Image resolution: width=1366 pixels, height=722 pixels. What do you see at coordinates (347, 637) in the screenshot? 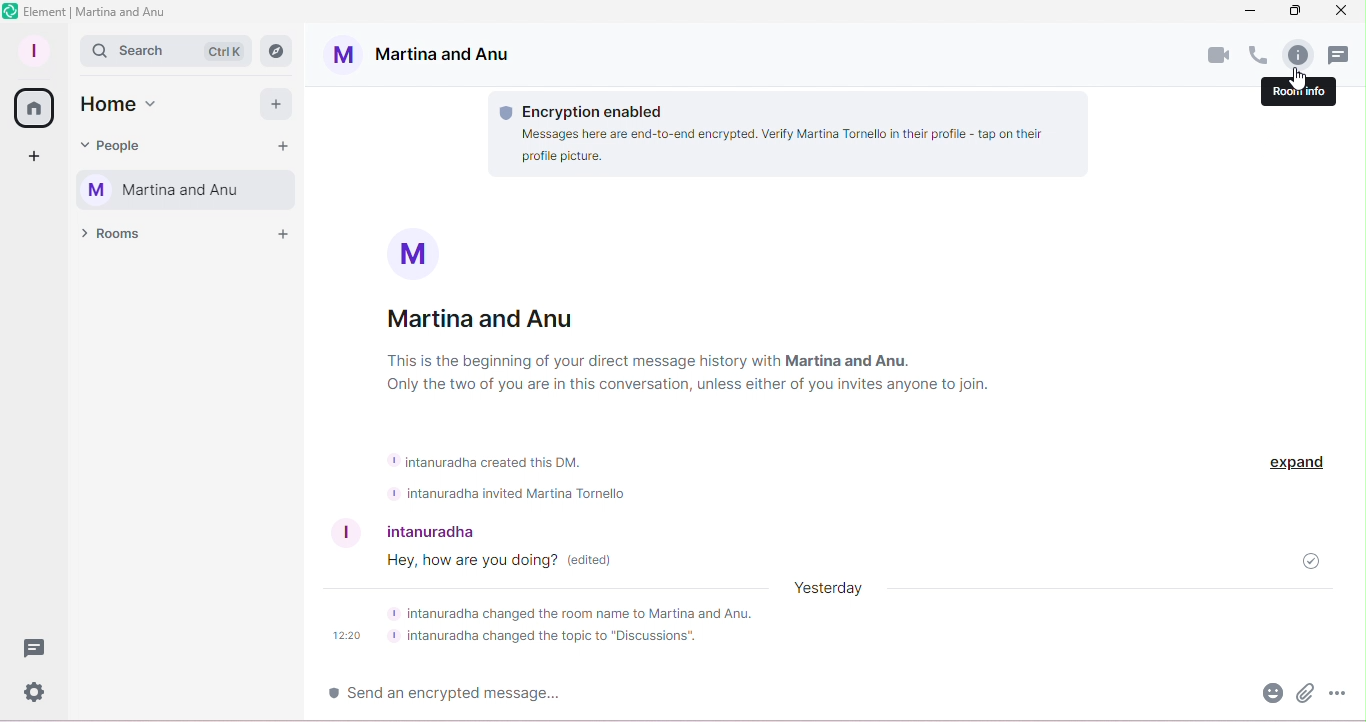
I see `12:20` at bounding box center [347, 637].